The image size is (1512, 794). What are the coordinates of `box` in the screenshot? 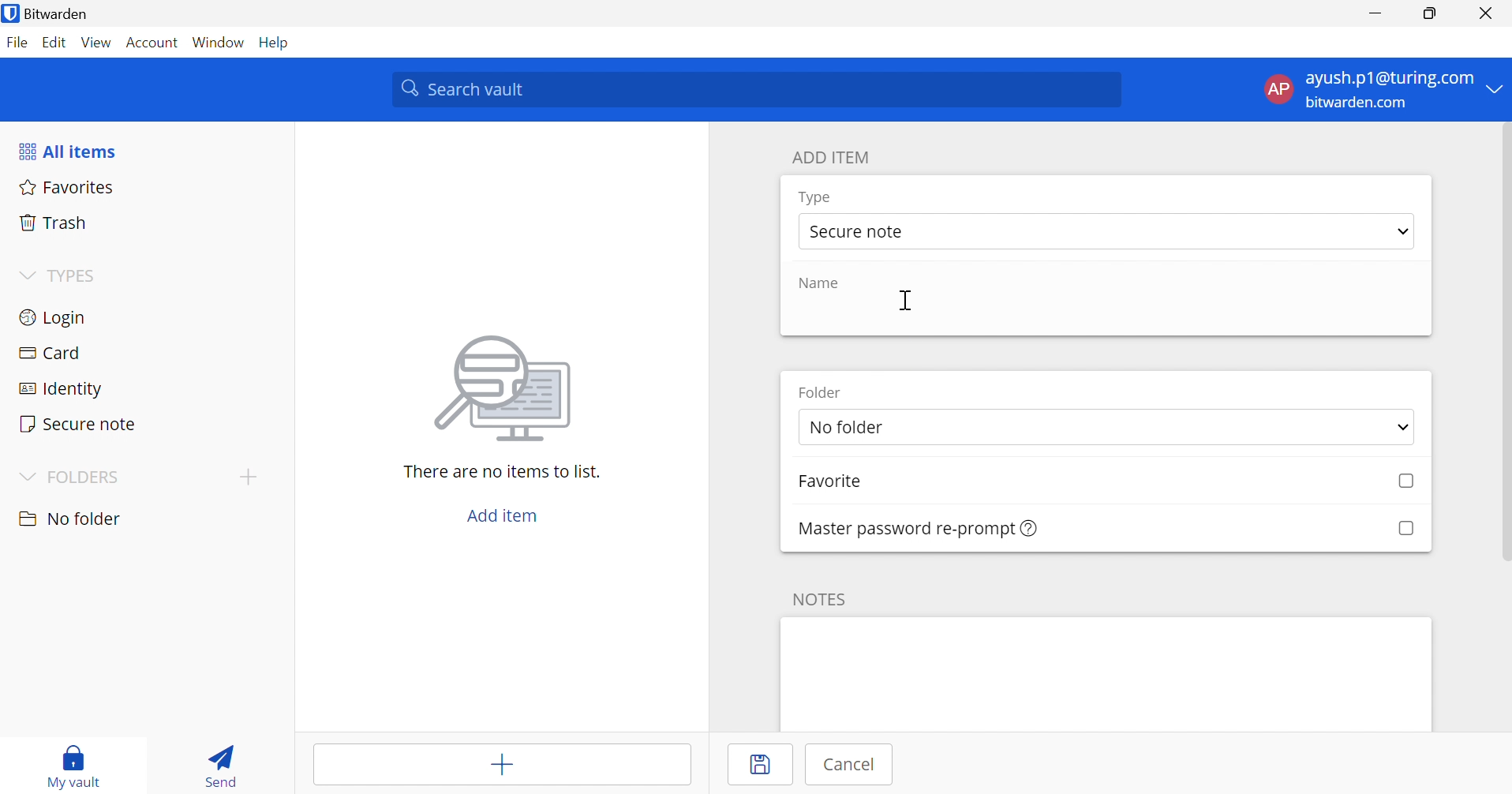 It's located at (1405, 527).